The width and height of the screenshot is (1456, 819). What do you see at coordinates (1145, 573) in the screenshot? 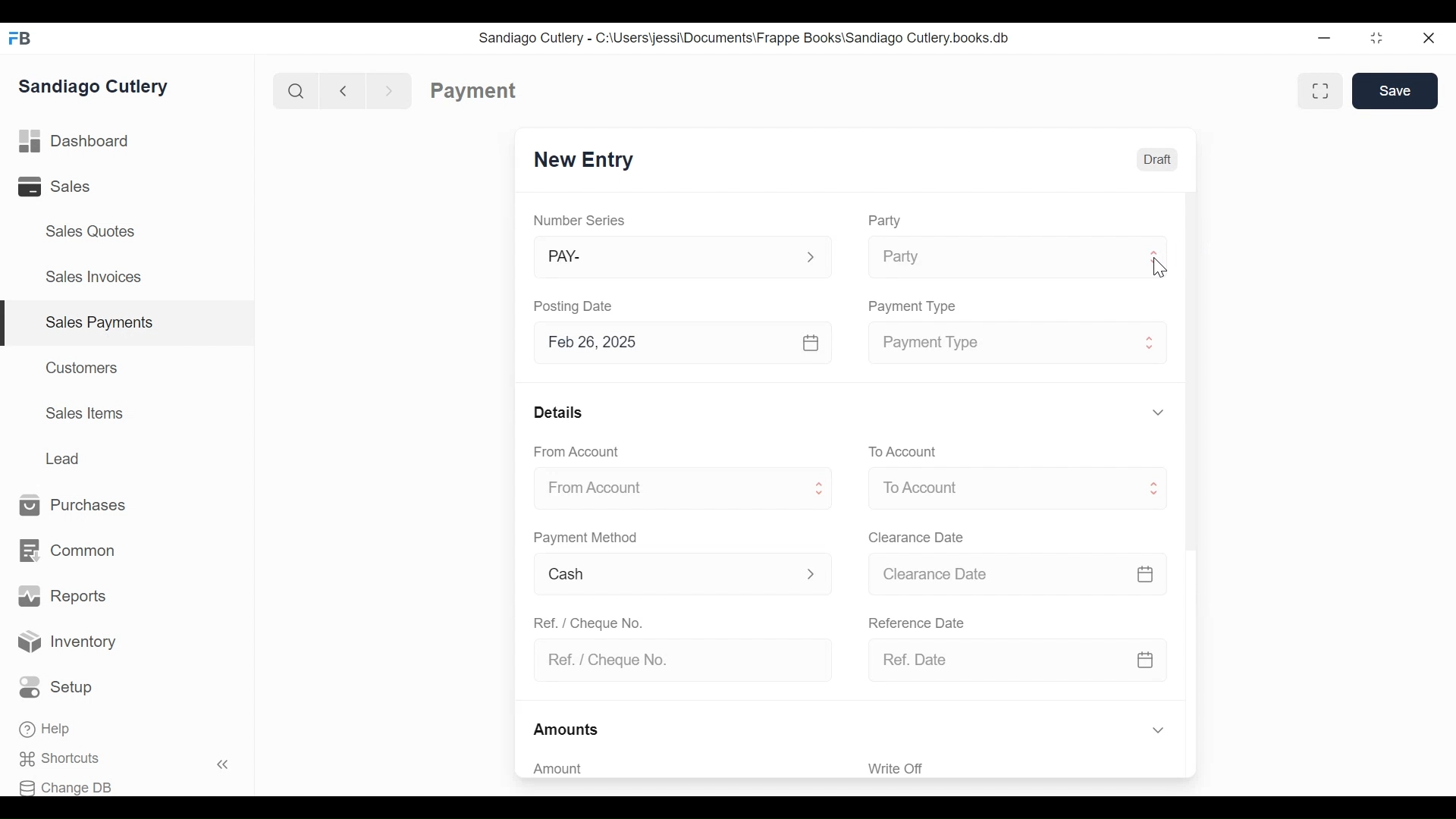
I see `Calendar` at bounding box center [1145, 573].